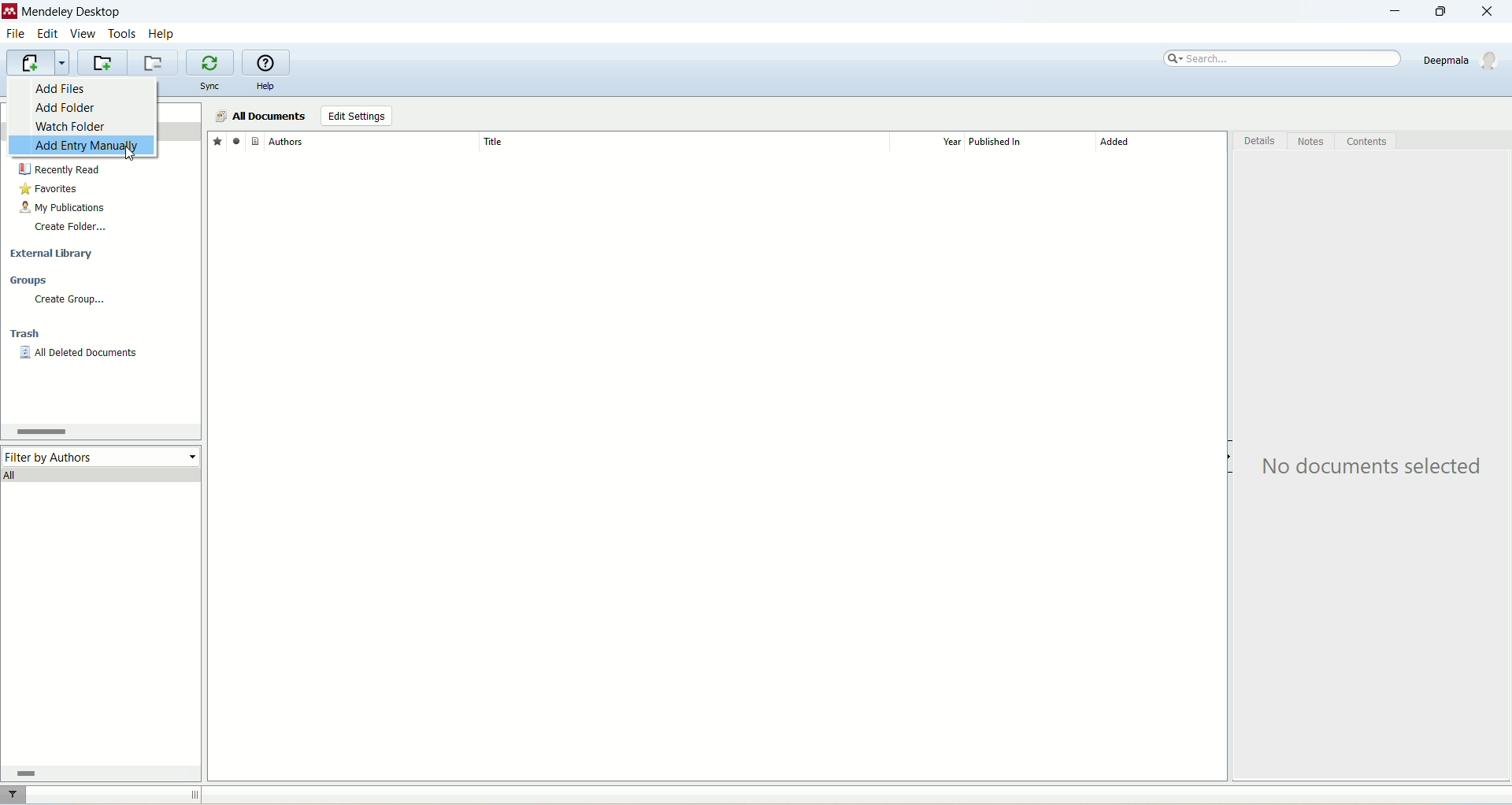  I want to click on content, so click(1366, 142).